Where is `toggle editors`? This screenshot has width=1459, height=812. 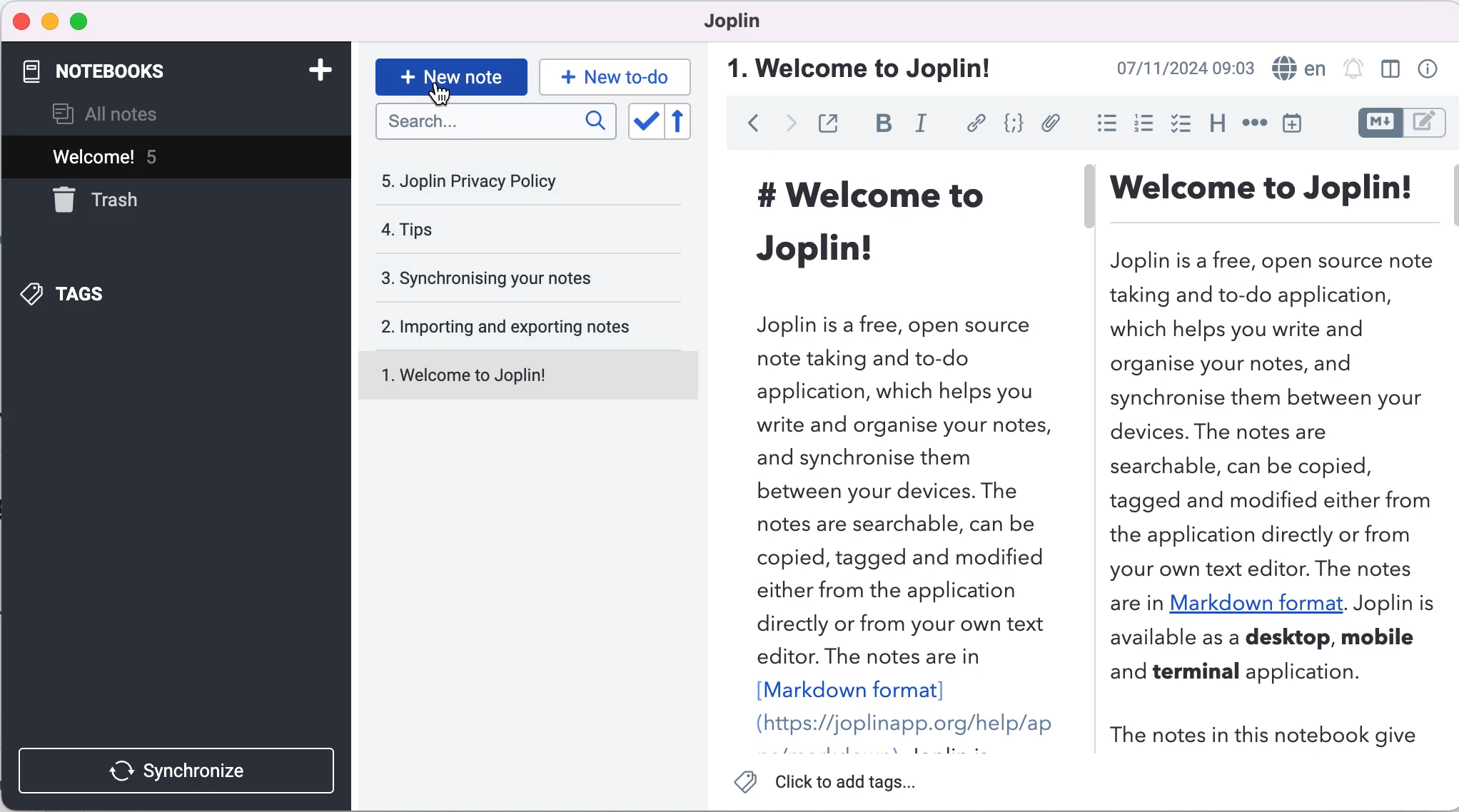 toggle editors is located at coordinates (1397, 123).